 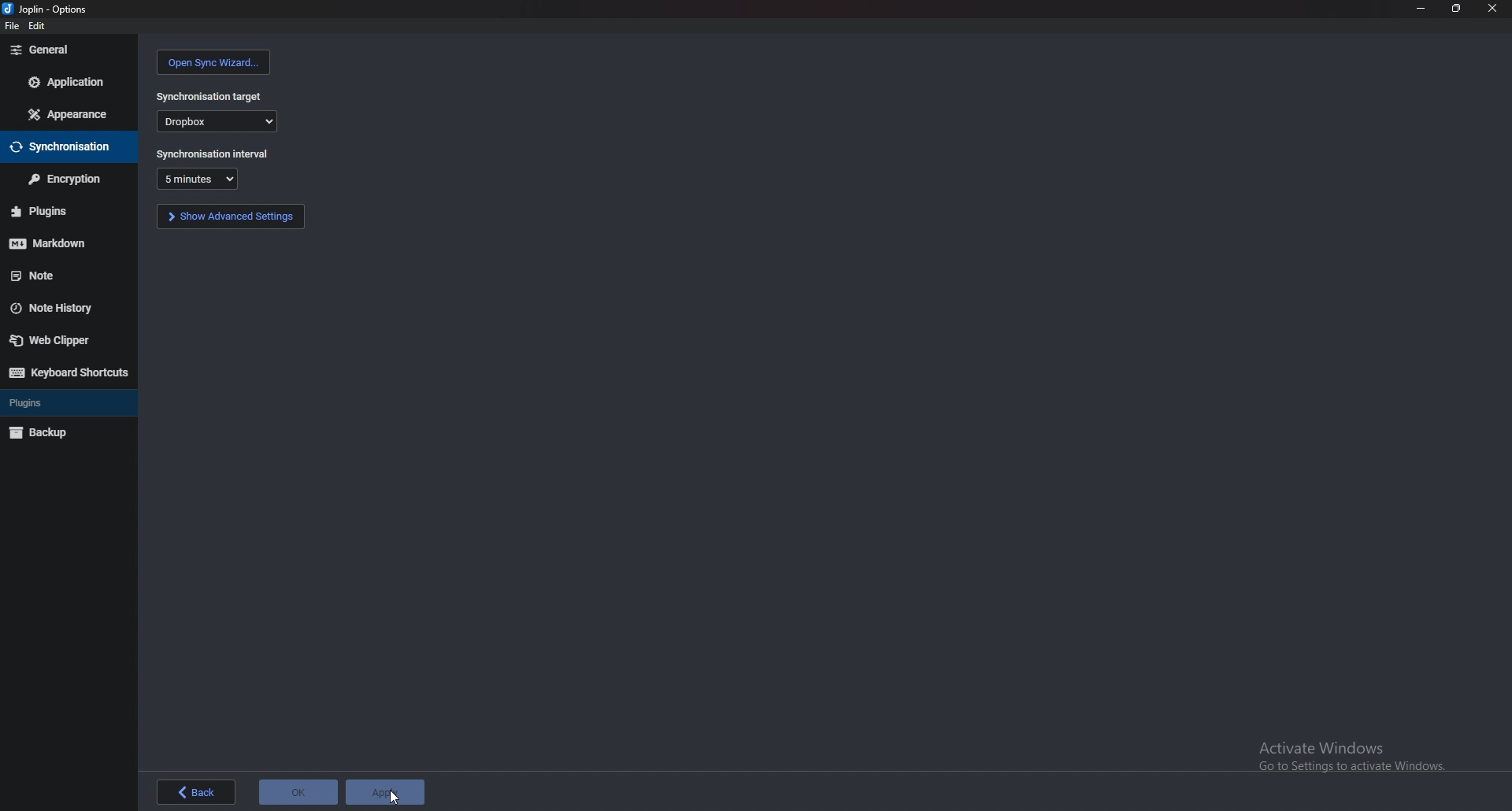 I want to click on synchronization interval, so click(x=212, y=153).